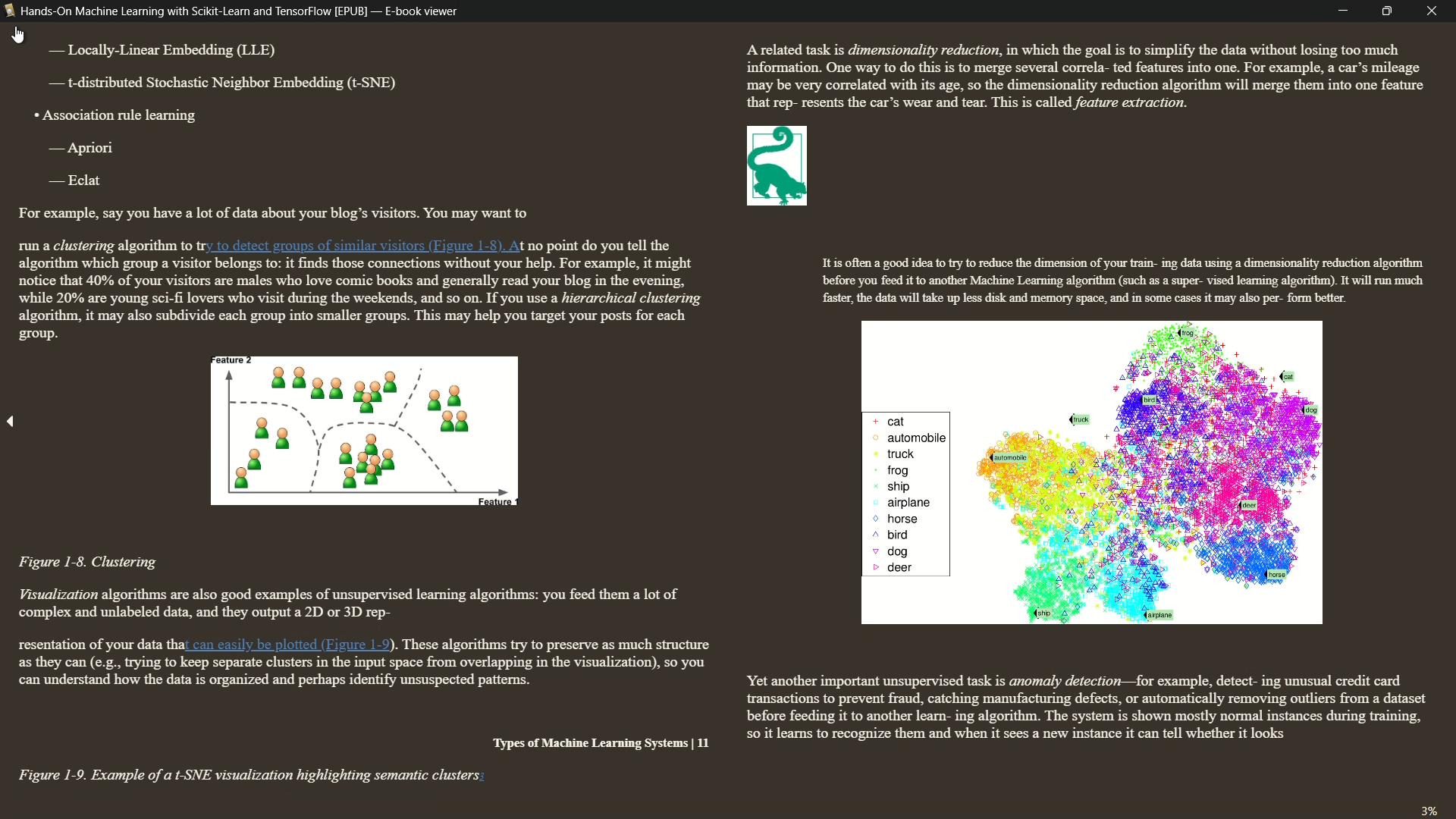 Image resolution: width=1456 pixels, height=819 pixels. Describe the element at coordinates (730, 414) in the screenshot. I see `book's content` at that location.